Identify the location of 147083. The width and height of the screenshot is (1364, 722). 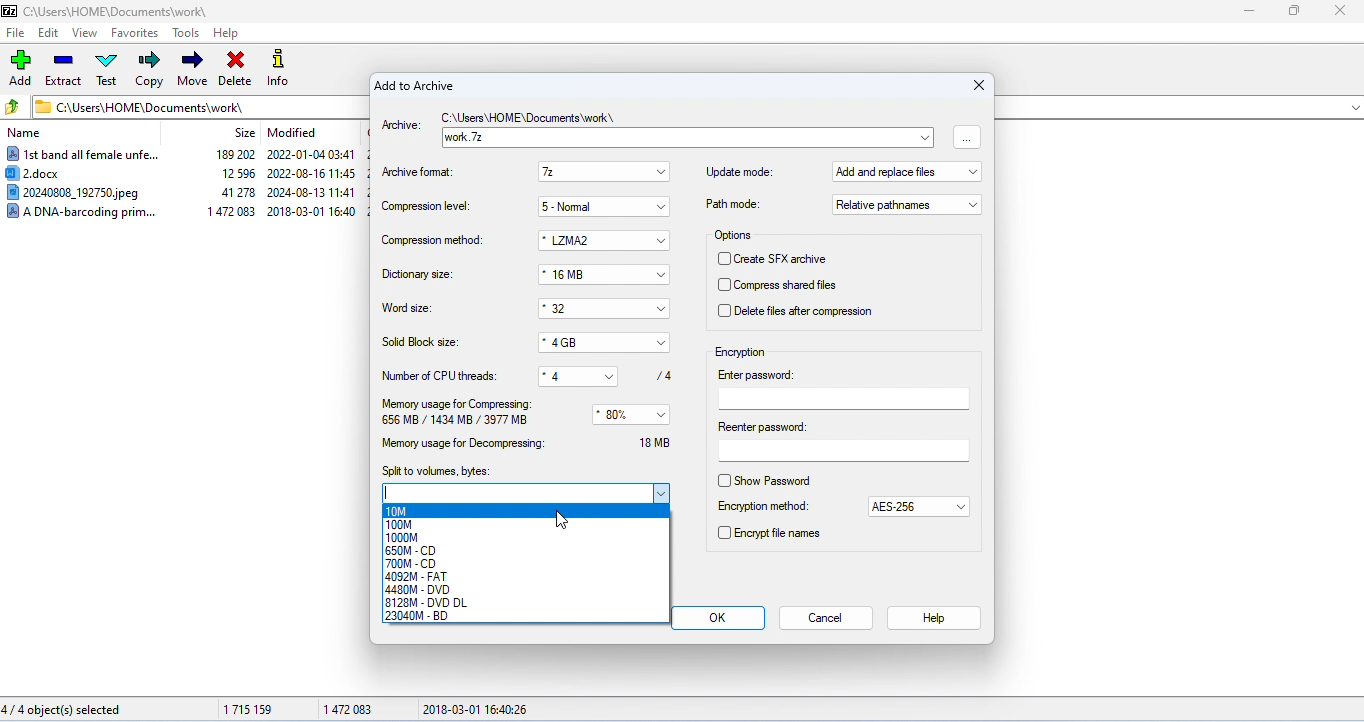
(346, 706).